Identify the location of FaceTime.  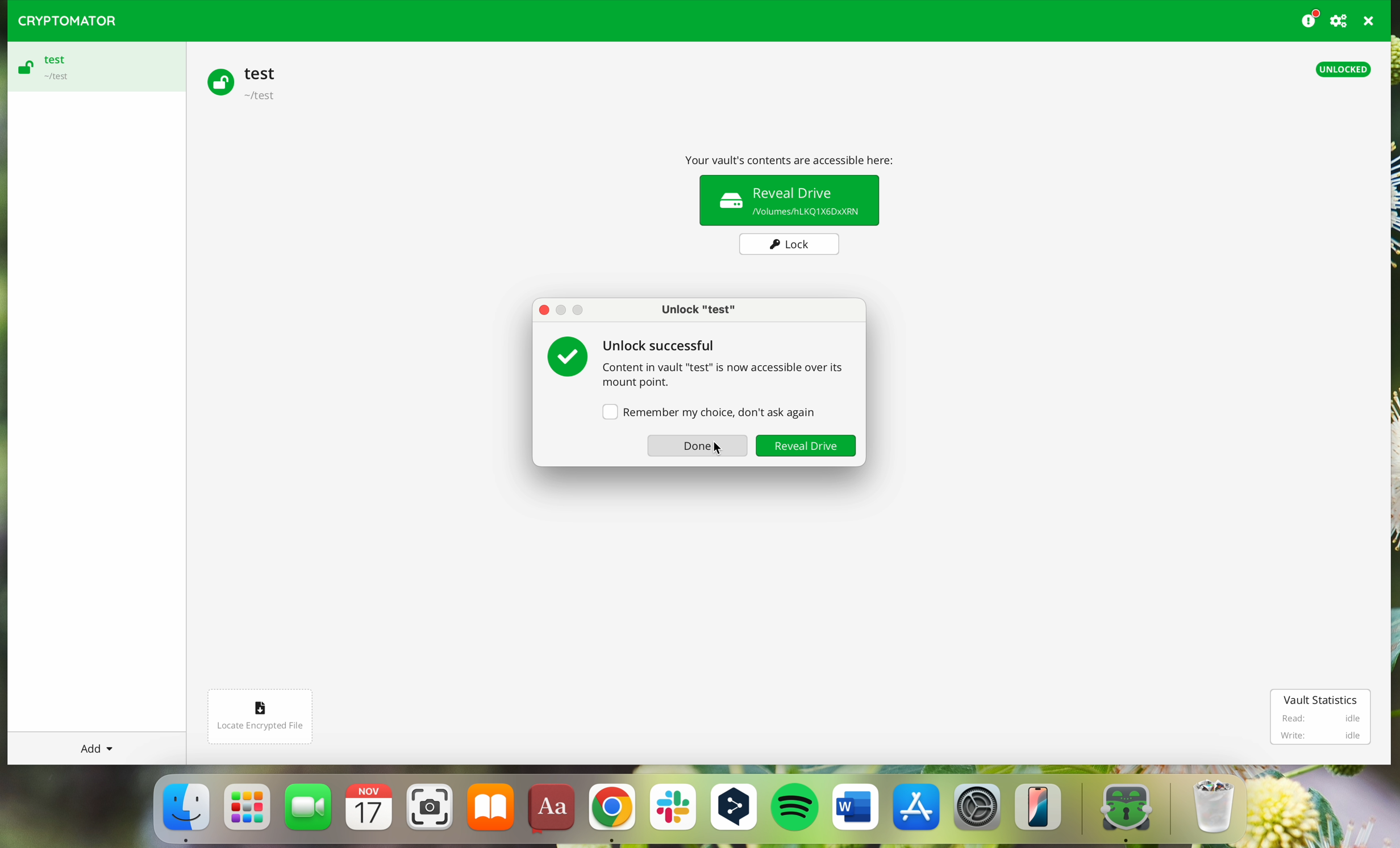
(310, 811).